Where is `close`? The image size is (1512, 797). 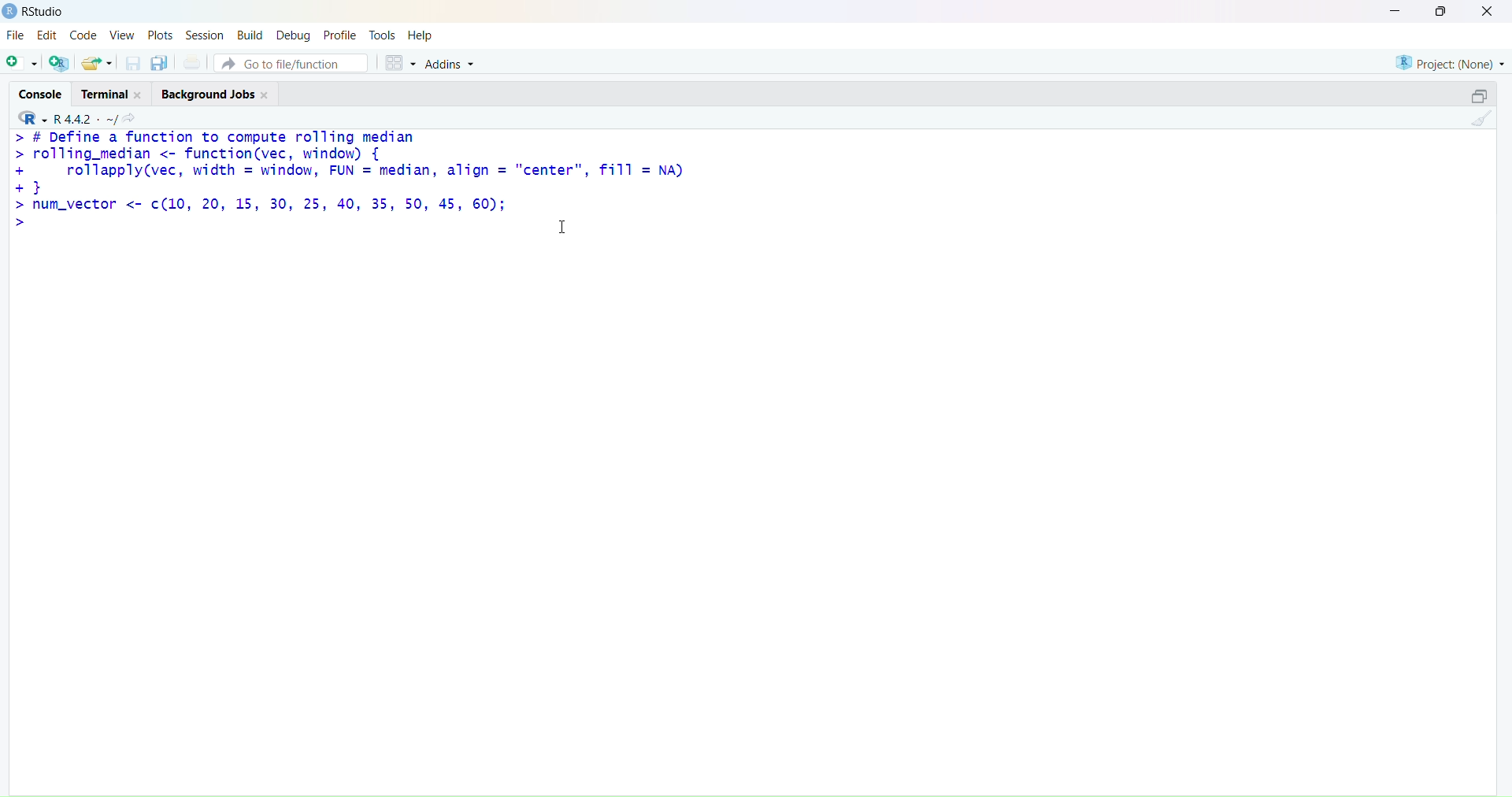
close is located at coordinates (265, 96).